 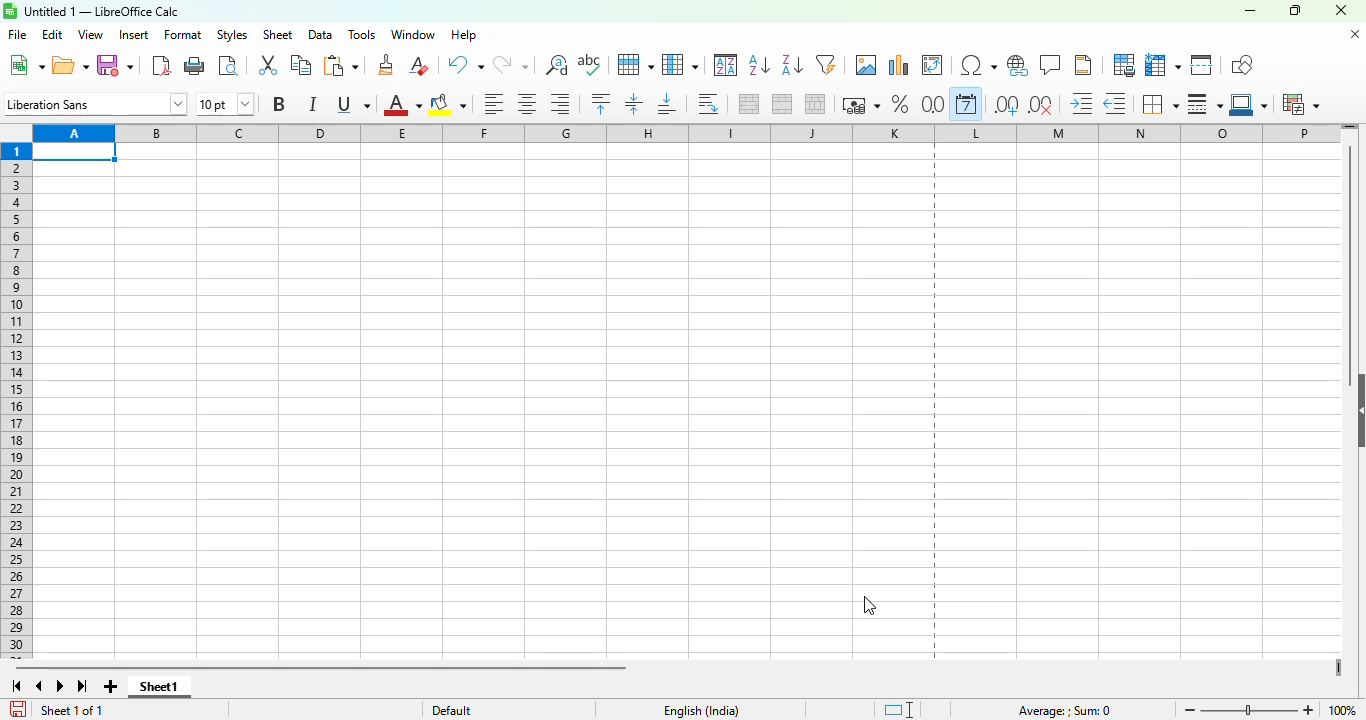 I want to click on show draw functions, so click(x=1241, y=66).